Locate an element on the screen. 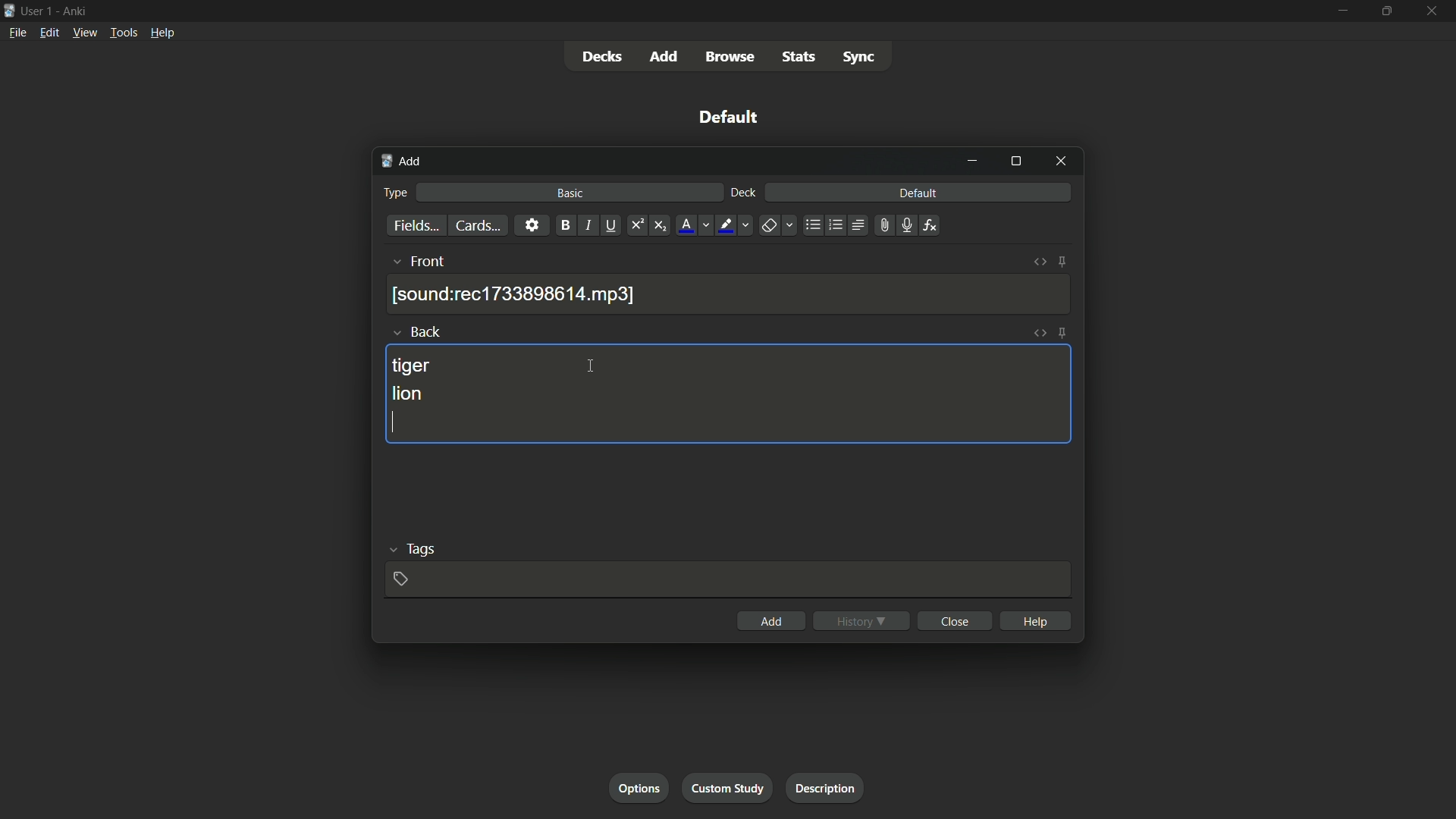  close is located at coordinates (954, 621).